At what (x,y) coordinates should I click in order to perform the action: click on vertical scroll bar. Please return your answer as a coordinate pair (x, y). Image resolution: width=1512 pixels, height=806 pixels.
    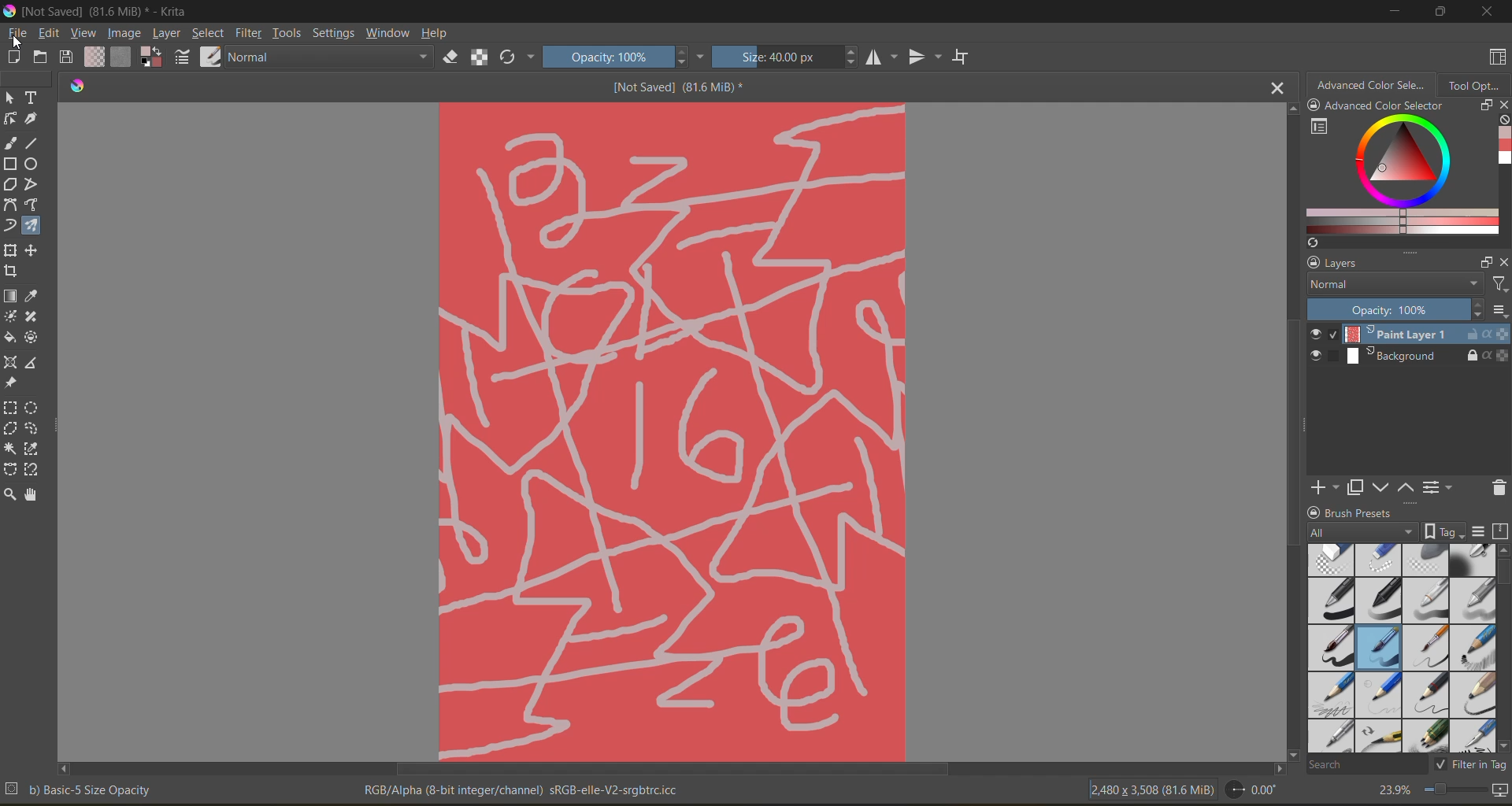
    Looking at the image, I should click on (1503, 648).